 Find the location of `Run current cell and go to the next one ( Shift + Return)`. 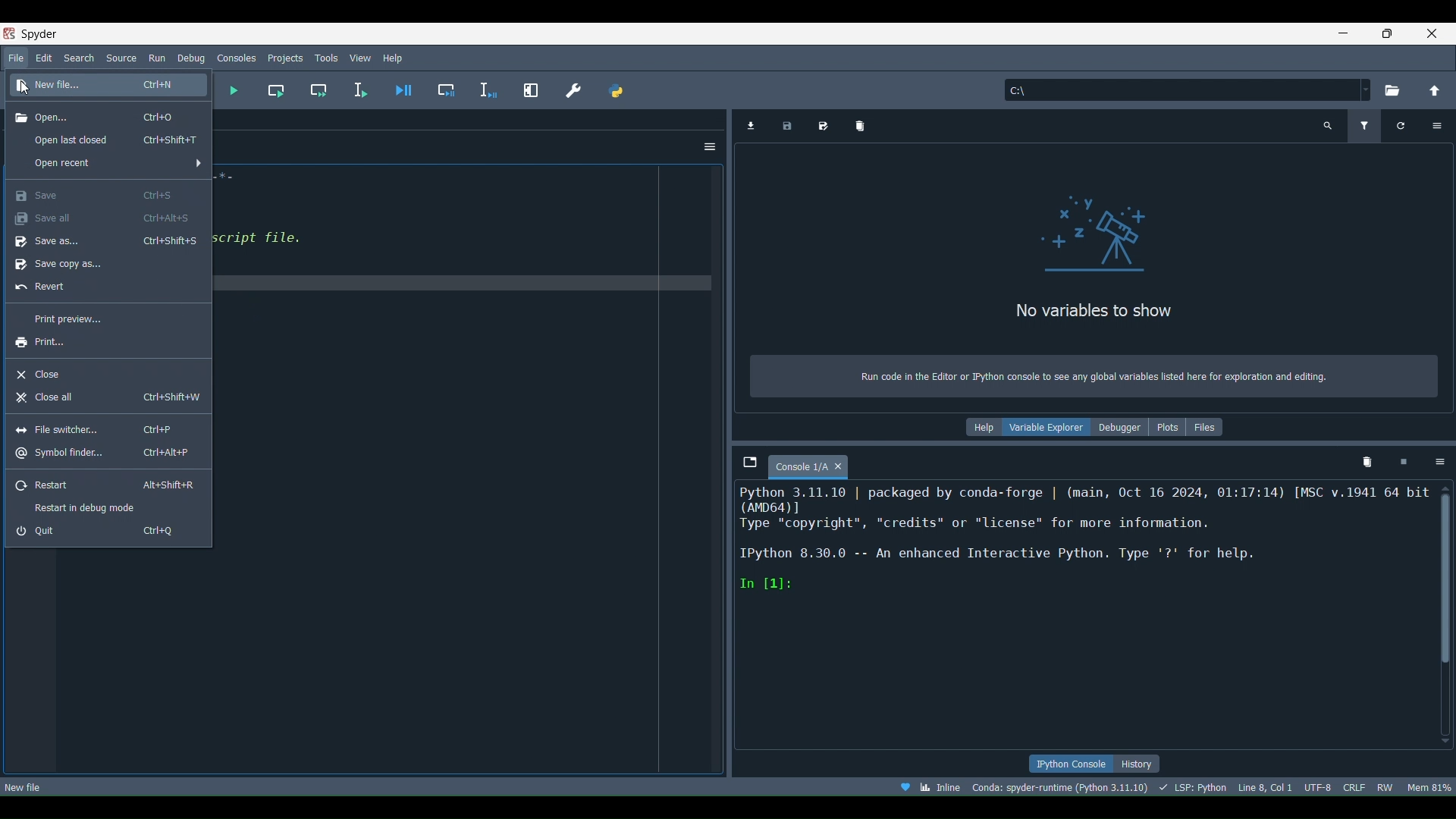

Run current cell and go to the next one ( Shift + Return) is located at coordinates (313, 91).